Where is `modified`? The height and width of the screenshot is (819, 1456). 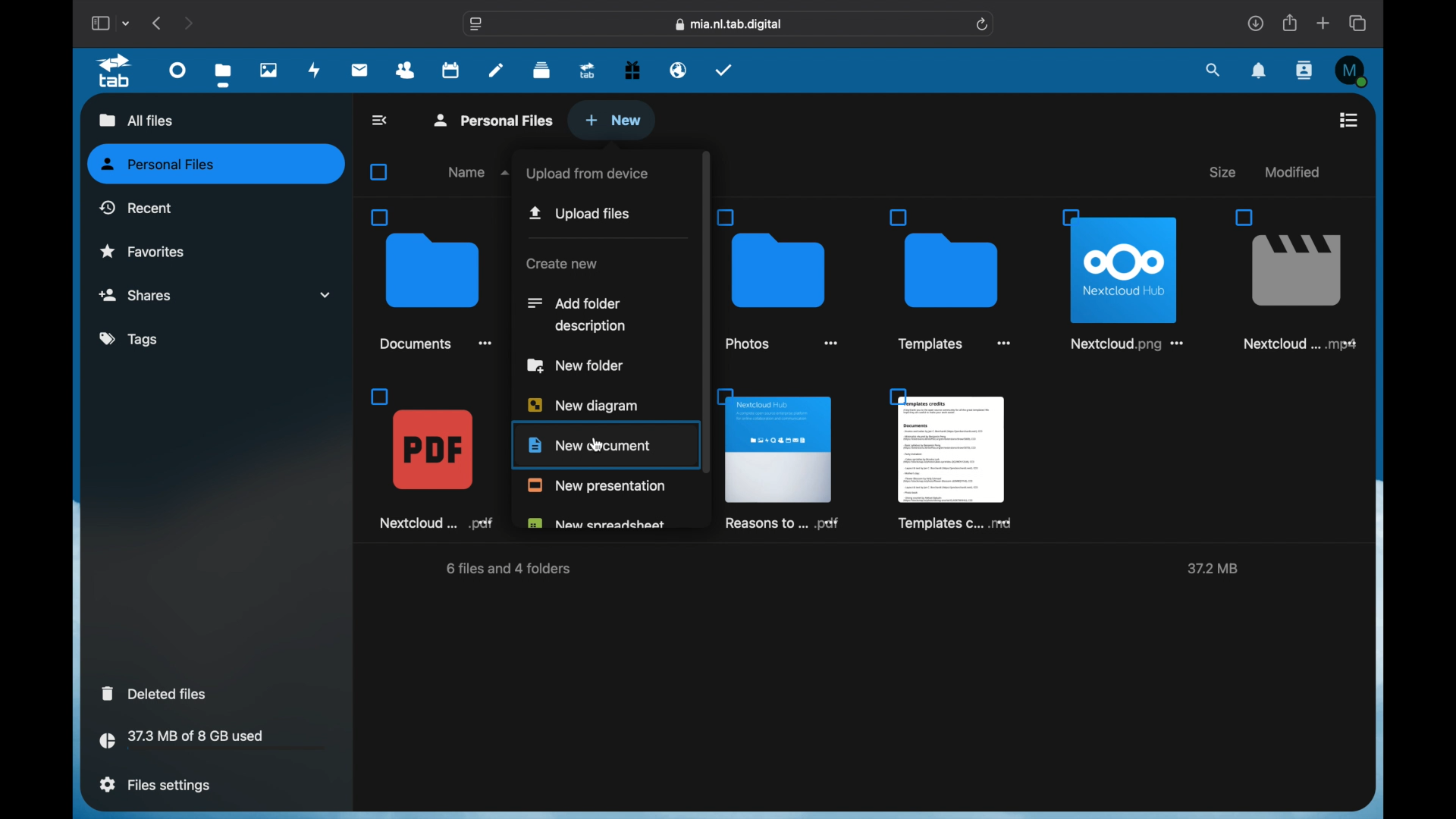 modified is located at coordinates (1291, 171).